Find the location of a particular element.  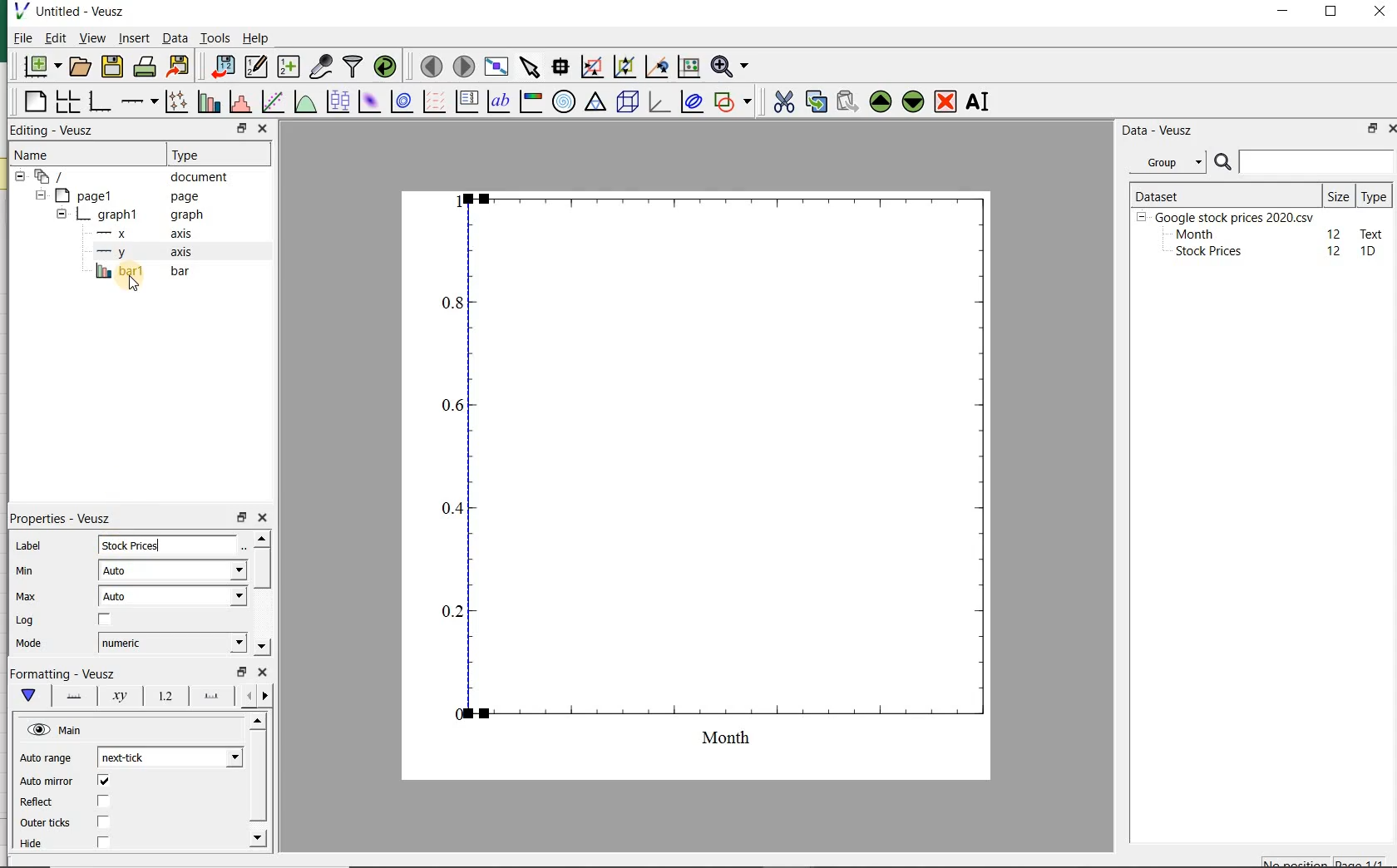

base graph is located at coordinates (99, 102).